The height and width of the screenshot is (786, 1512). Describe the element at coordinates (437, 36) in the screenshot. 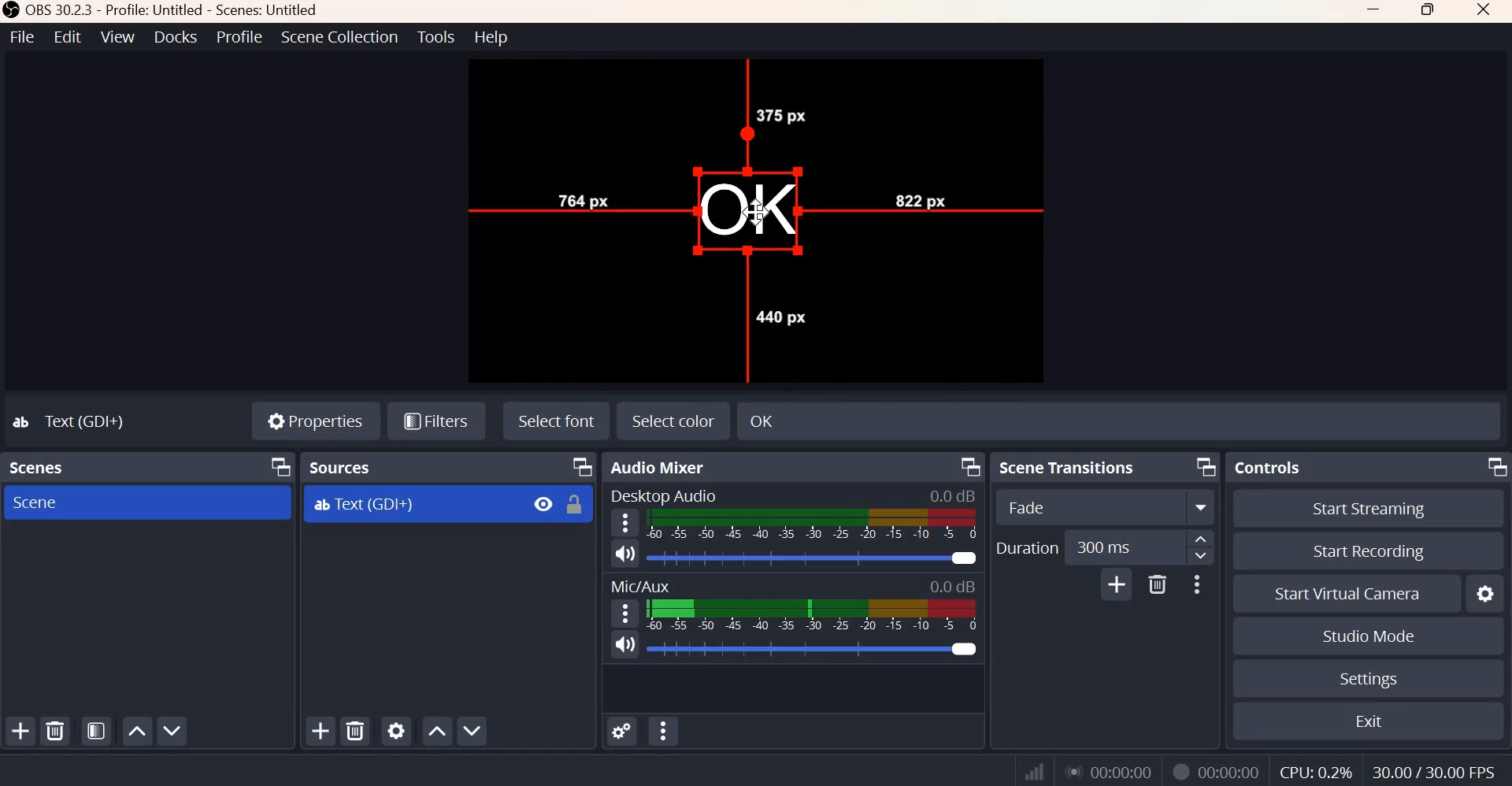

I see `Tools` at that location.